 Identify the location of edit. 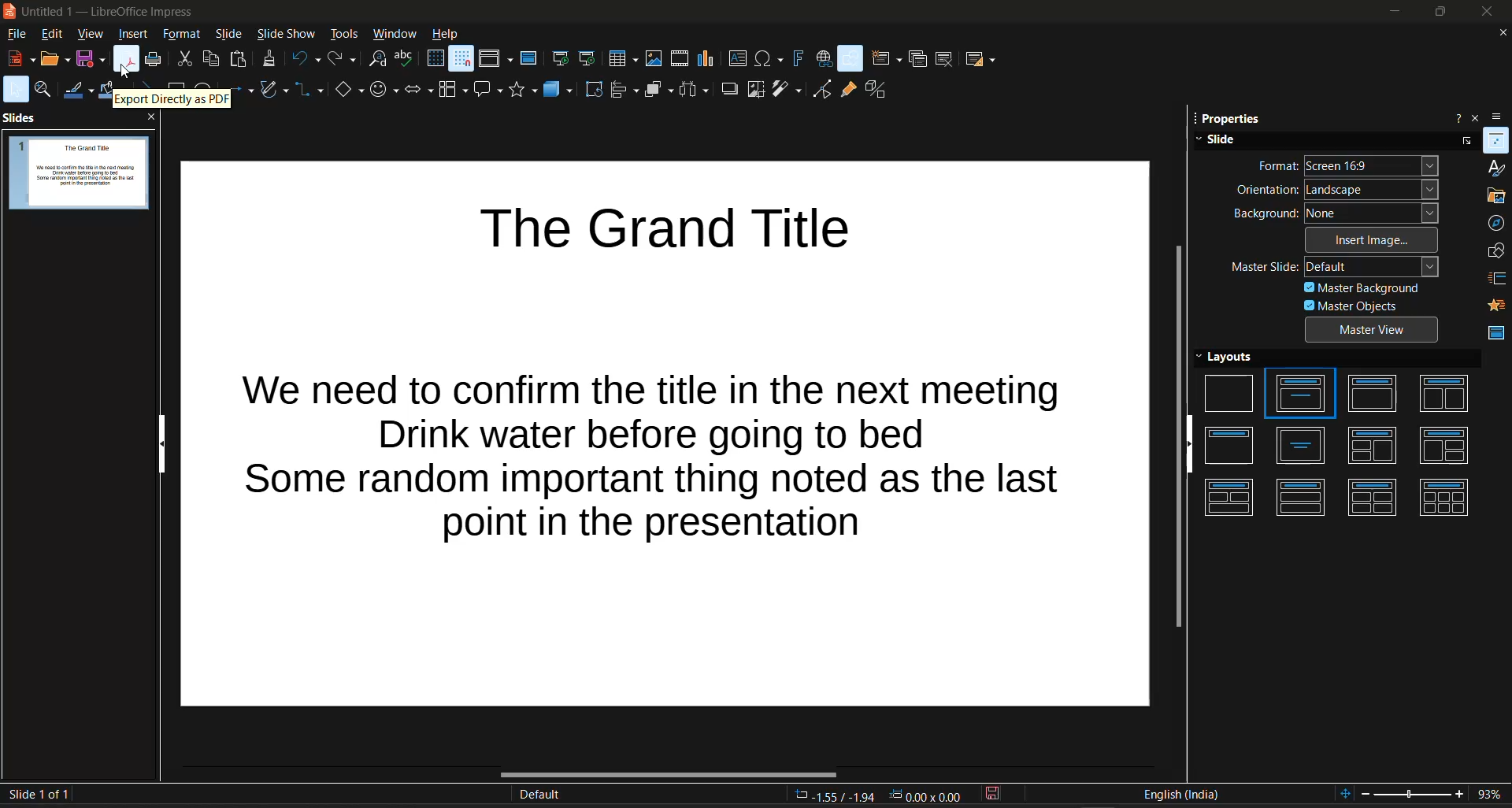
(53, 35).